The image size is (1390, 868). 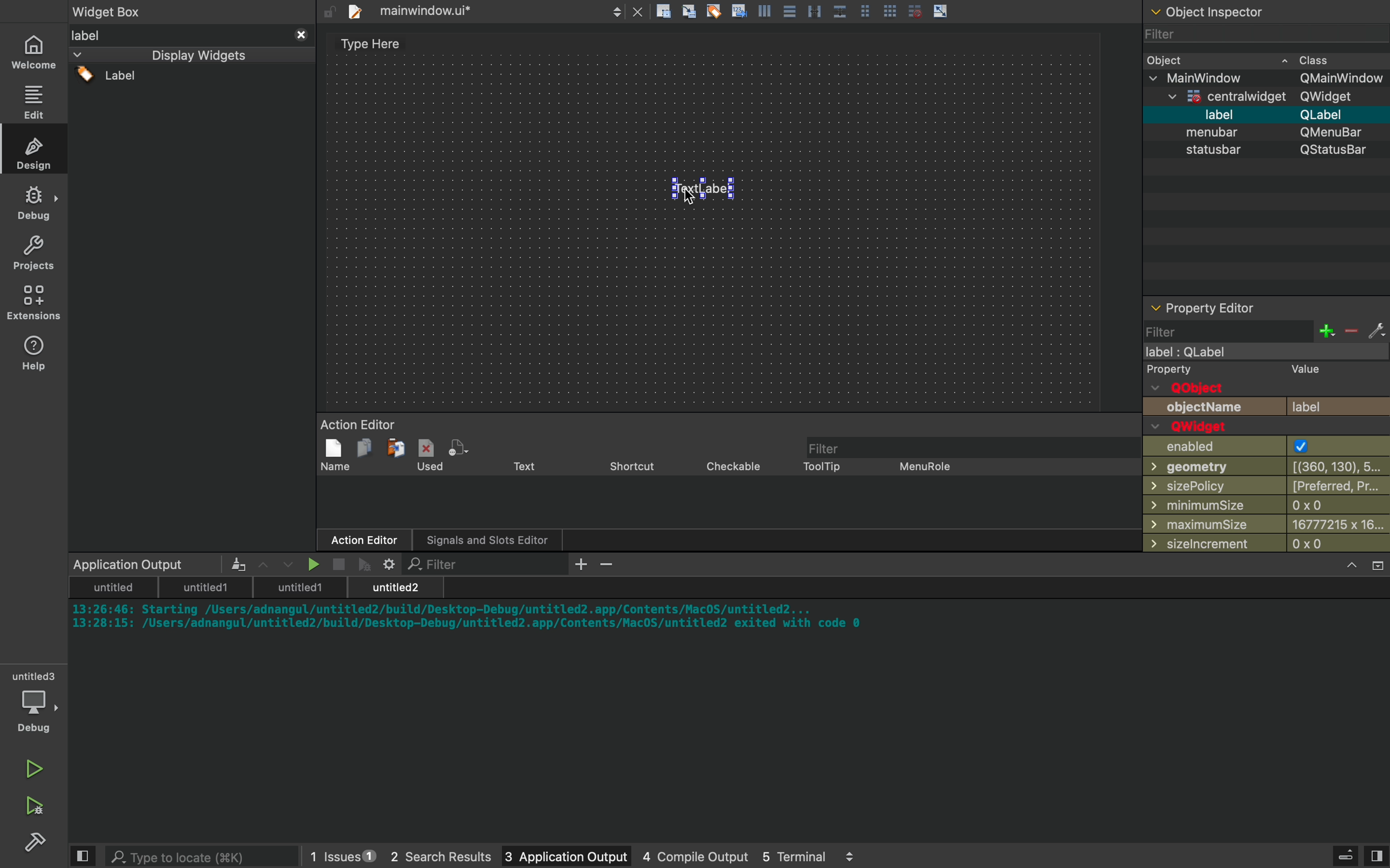 What do you see at coordinates (38, 844) in the screenshot?
I see `` at bounding box center [38, 844].